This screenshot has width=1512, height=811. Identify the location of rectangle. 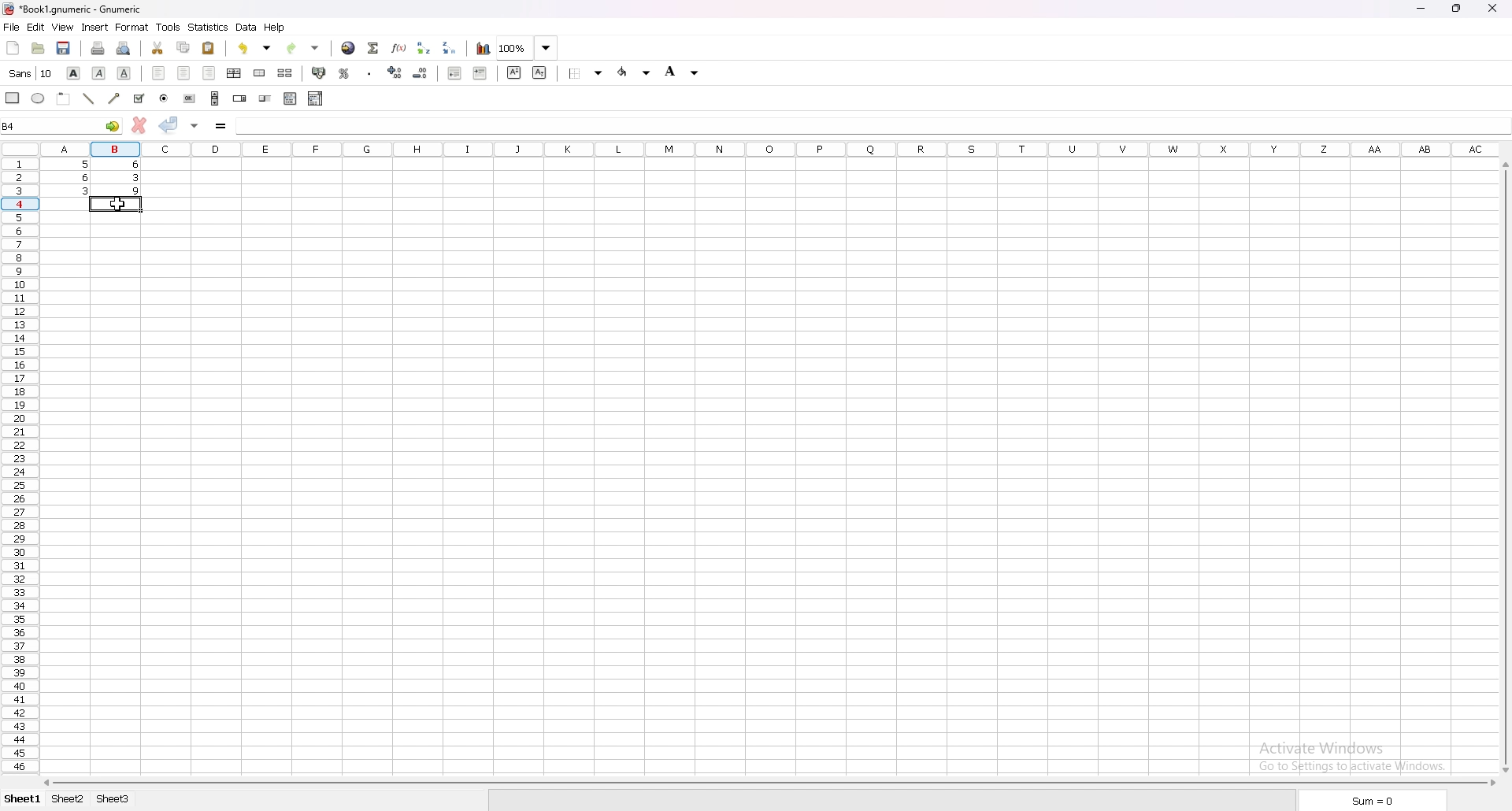
(12, 98).